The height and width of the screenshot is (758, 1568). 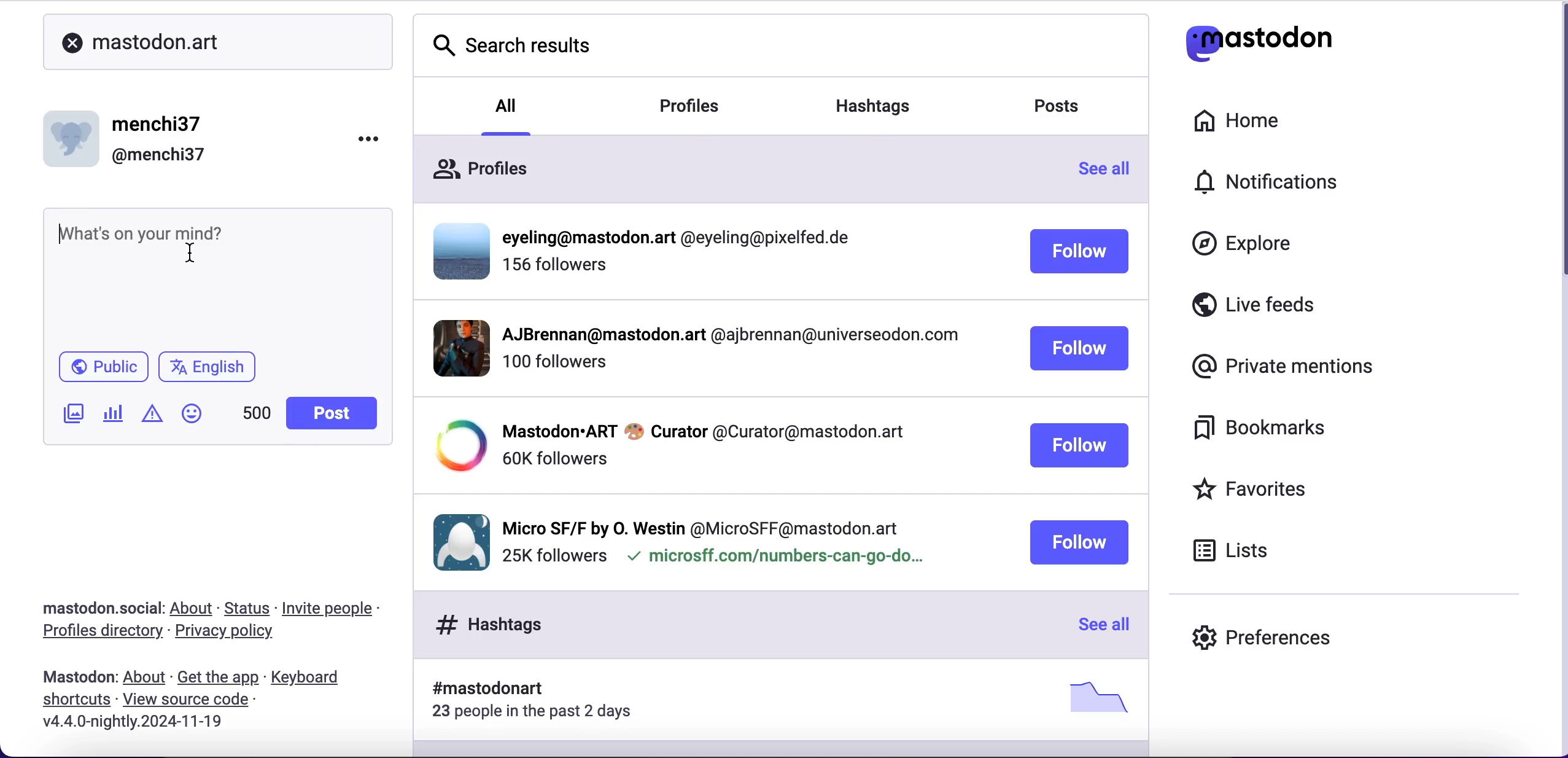 What do you see at coordinates (195, 42) in the screenshot?
I see `mastodon.art` at bounding box center [195, 42].